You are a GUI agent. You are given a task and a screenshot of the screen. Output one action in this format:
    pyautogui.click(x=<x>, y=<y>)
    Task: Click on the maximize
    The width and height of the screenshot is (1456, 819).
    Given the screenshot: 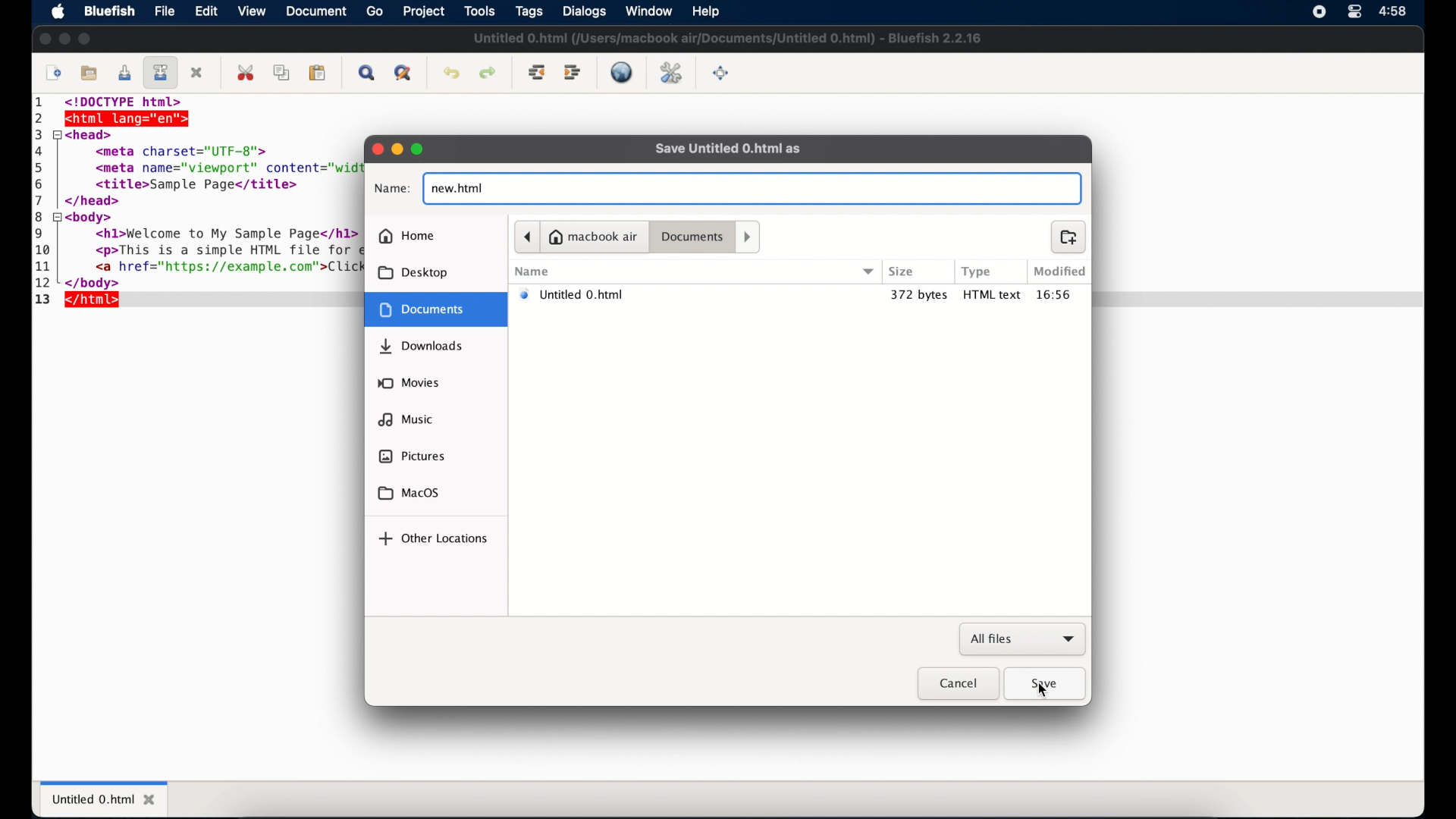 What is the action you would take?
    pyautogui.click(x=419, y=149)
    